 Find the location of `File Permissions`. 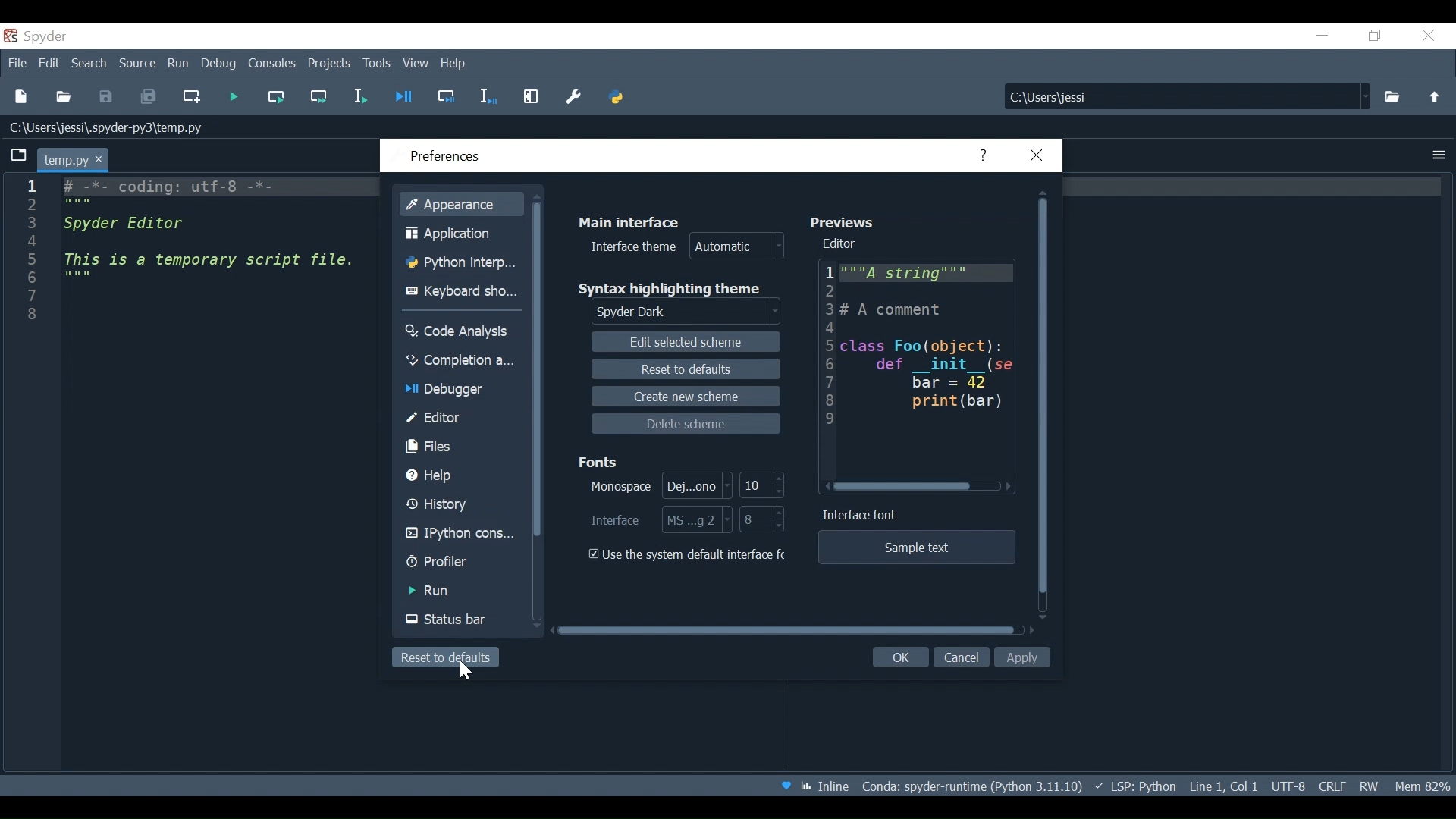

File Permissions is located at coordinates (1369, 786).